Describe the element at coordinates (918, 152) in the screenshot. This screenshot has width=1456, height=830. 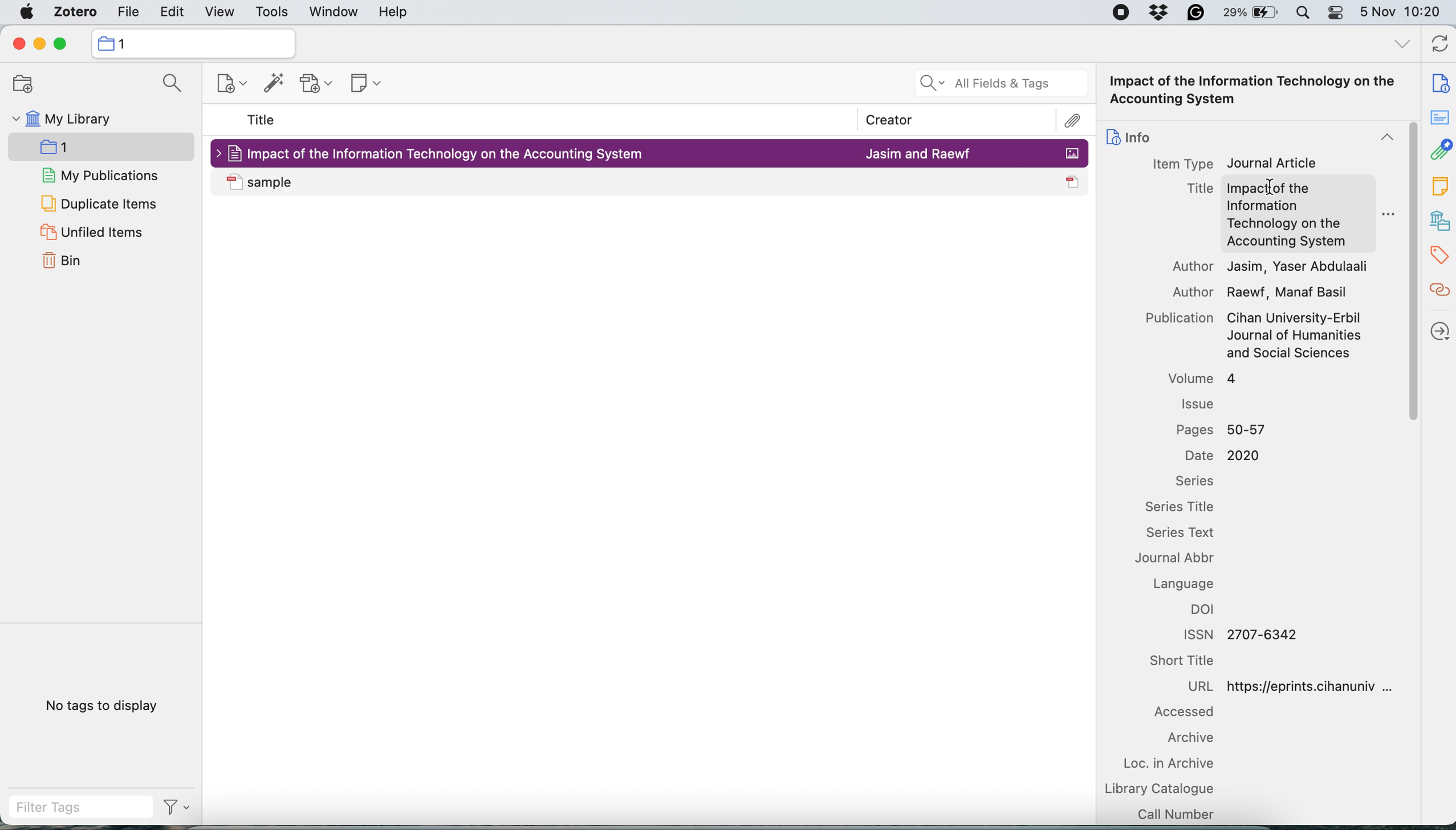
I see `Jasim and Raewf` at that location.